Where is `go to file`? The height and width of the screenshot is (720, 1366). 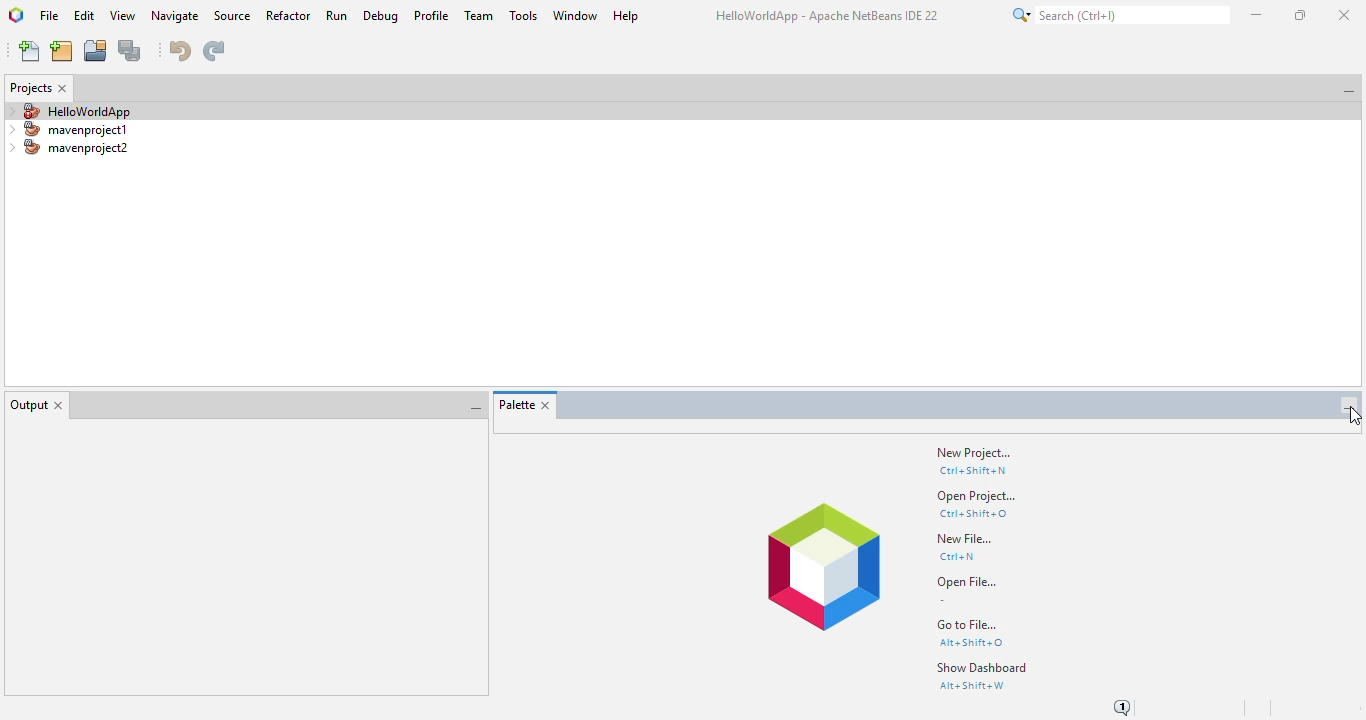
go to file is located at coordinates (968, 625).